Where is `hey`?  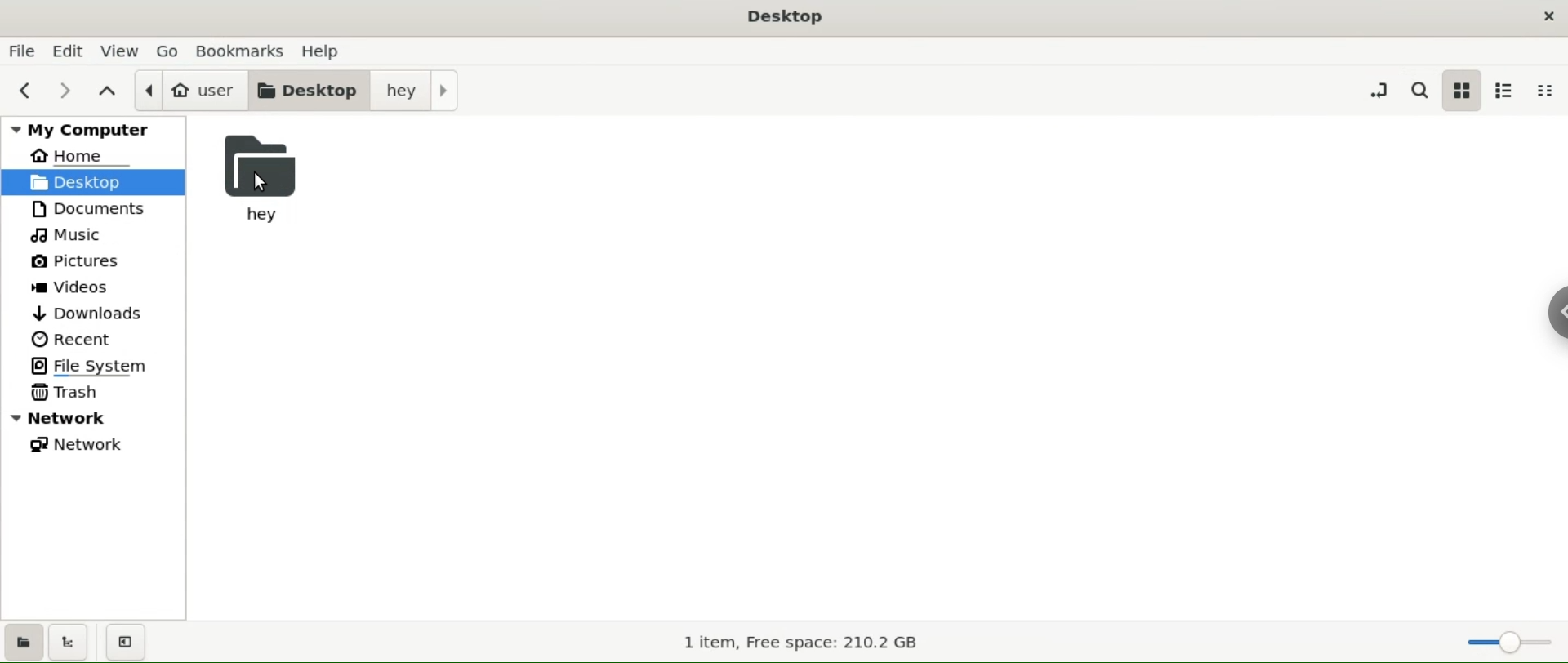 hey is located at coordinates (414, 90).